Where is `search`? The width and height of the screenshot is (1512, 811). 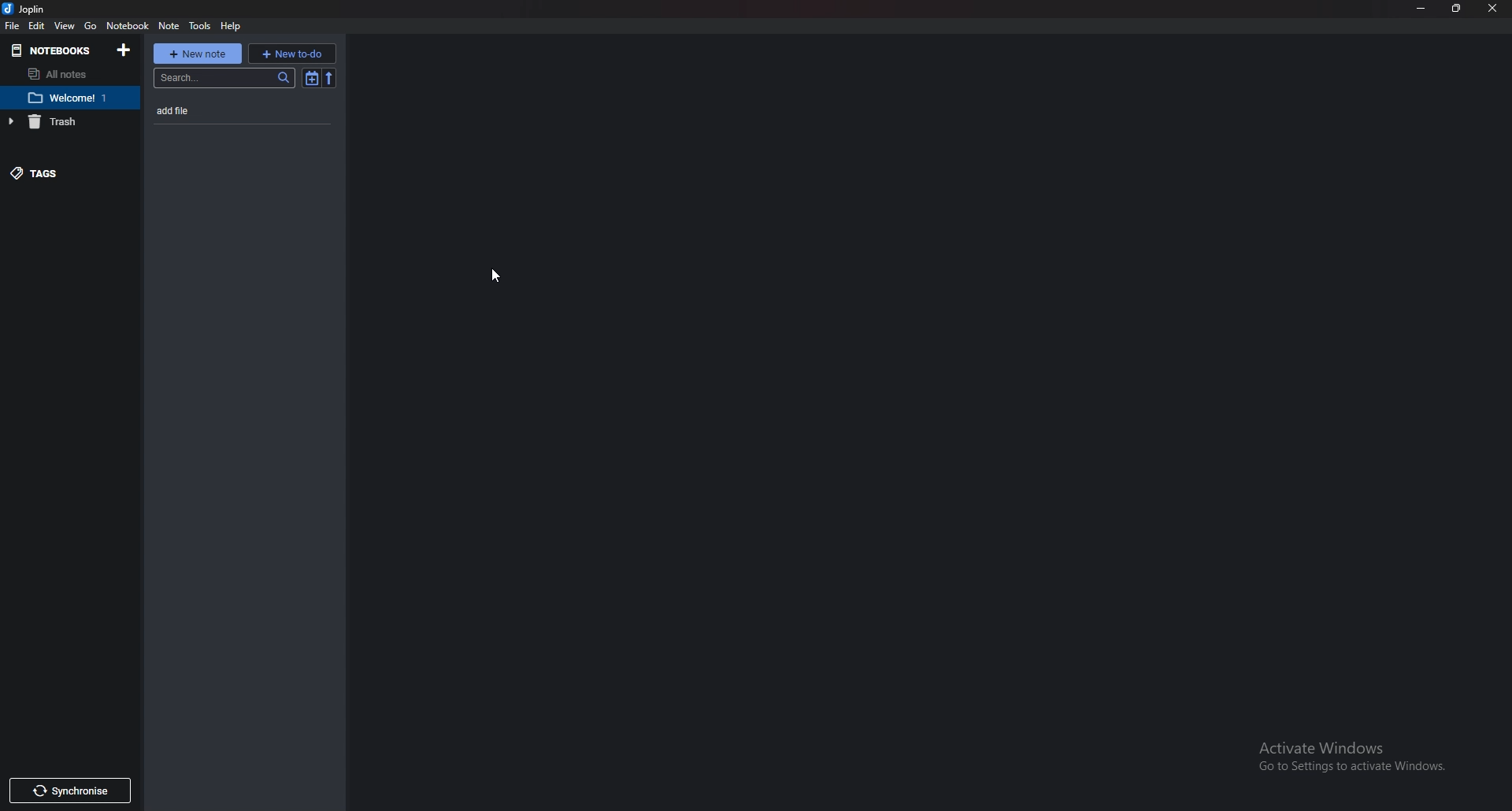 search is located at coordinates (222, 77).